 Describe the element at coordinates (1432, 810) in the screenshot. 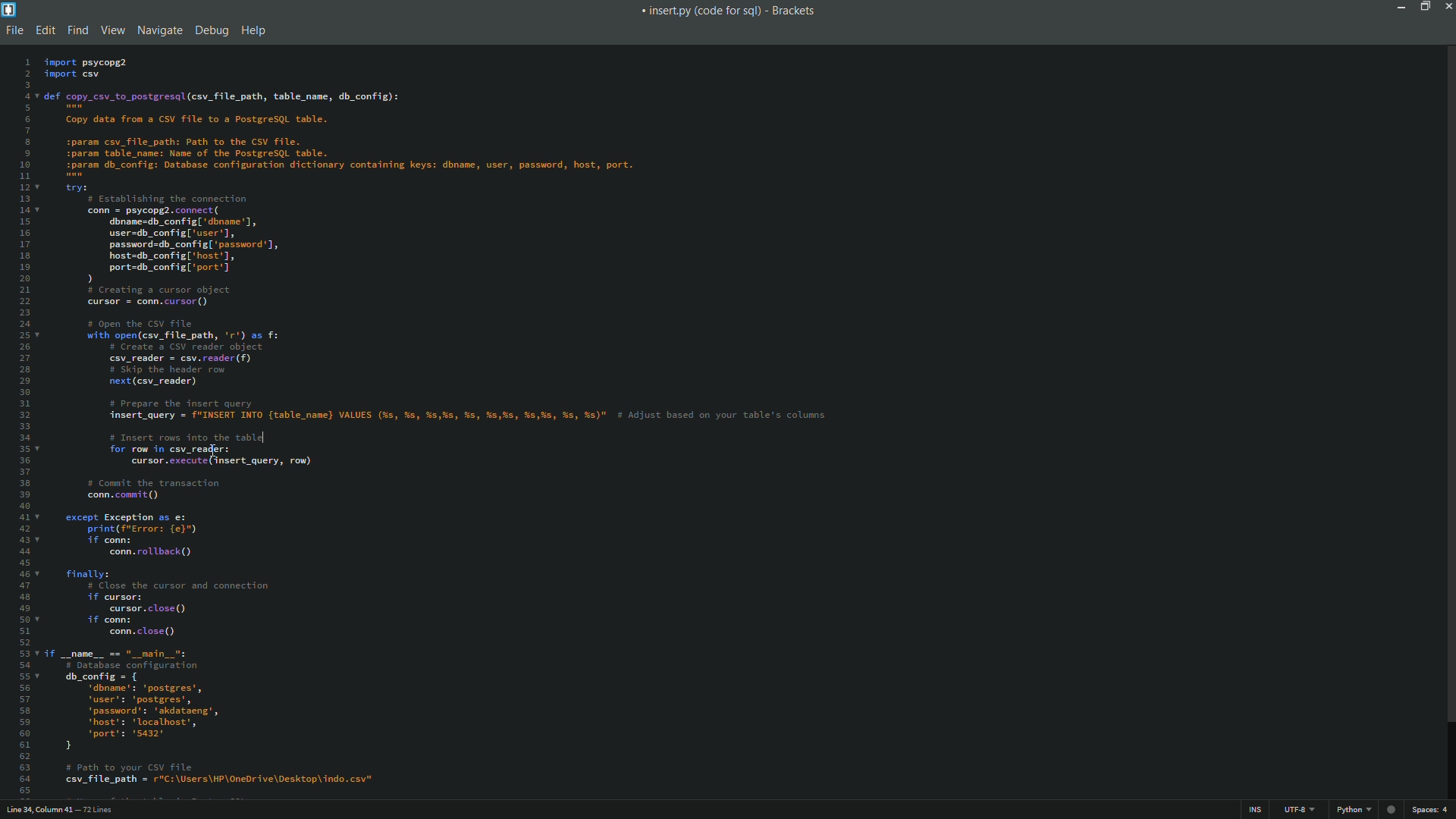

I see `space` at that location.